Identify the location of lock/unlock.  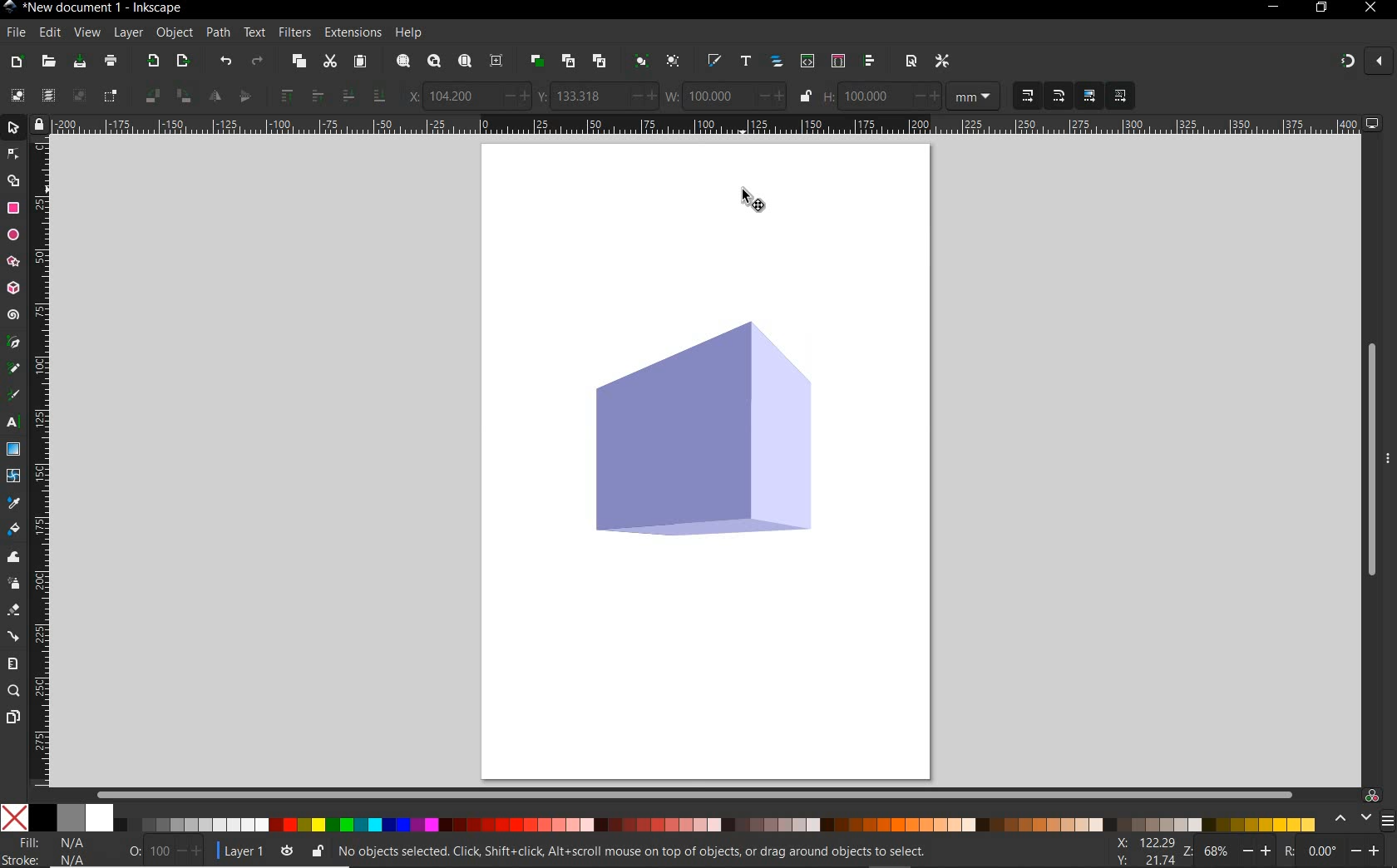
(806, 96).